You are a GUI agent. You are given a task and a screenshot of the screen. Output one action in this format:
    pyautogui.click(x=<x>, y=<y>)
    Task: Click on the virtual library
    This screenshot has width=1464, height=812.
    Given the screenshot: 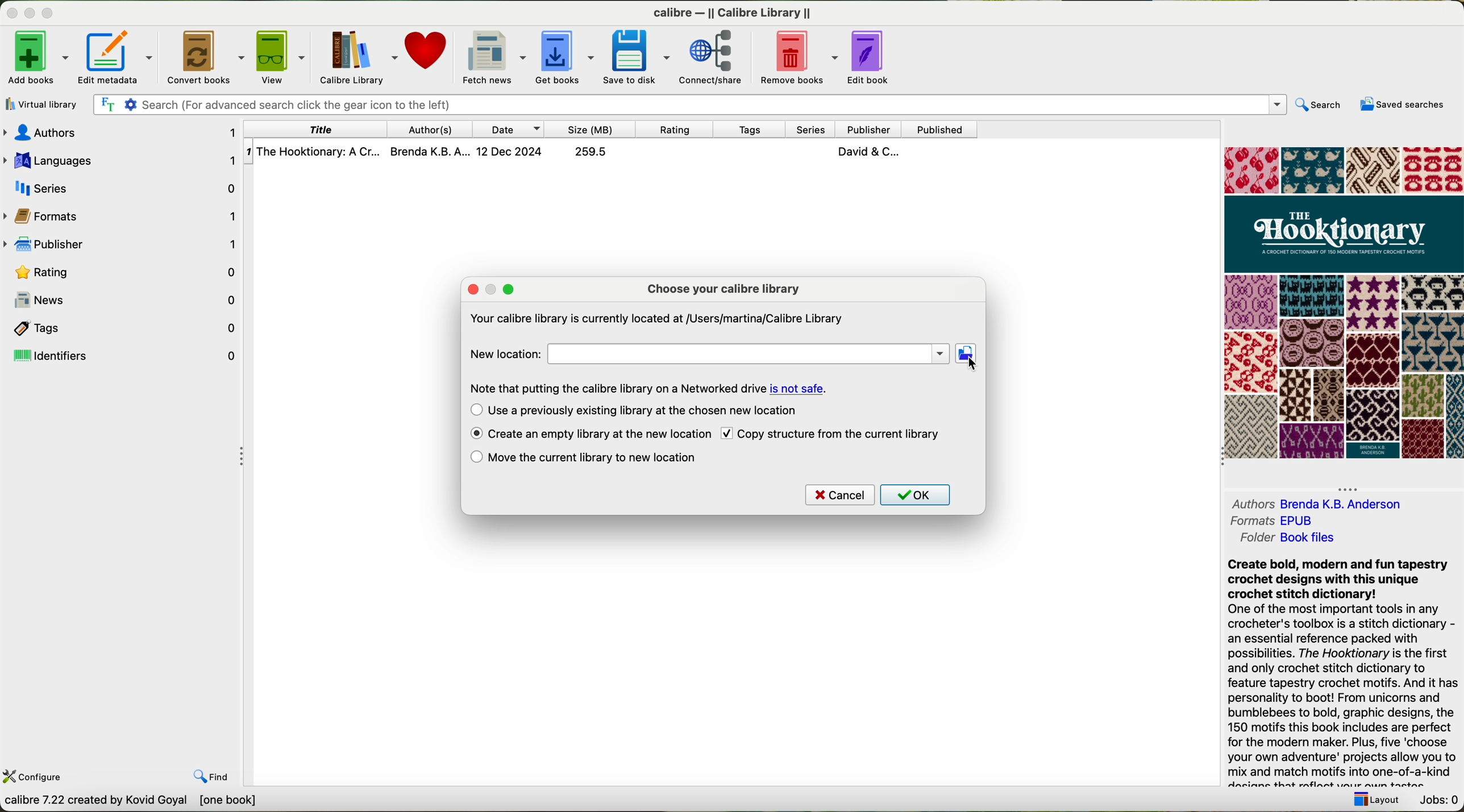 What is the action you would take?
    pyautogui.click(x=40, y=105)
    